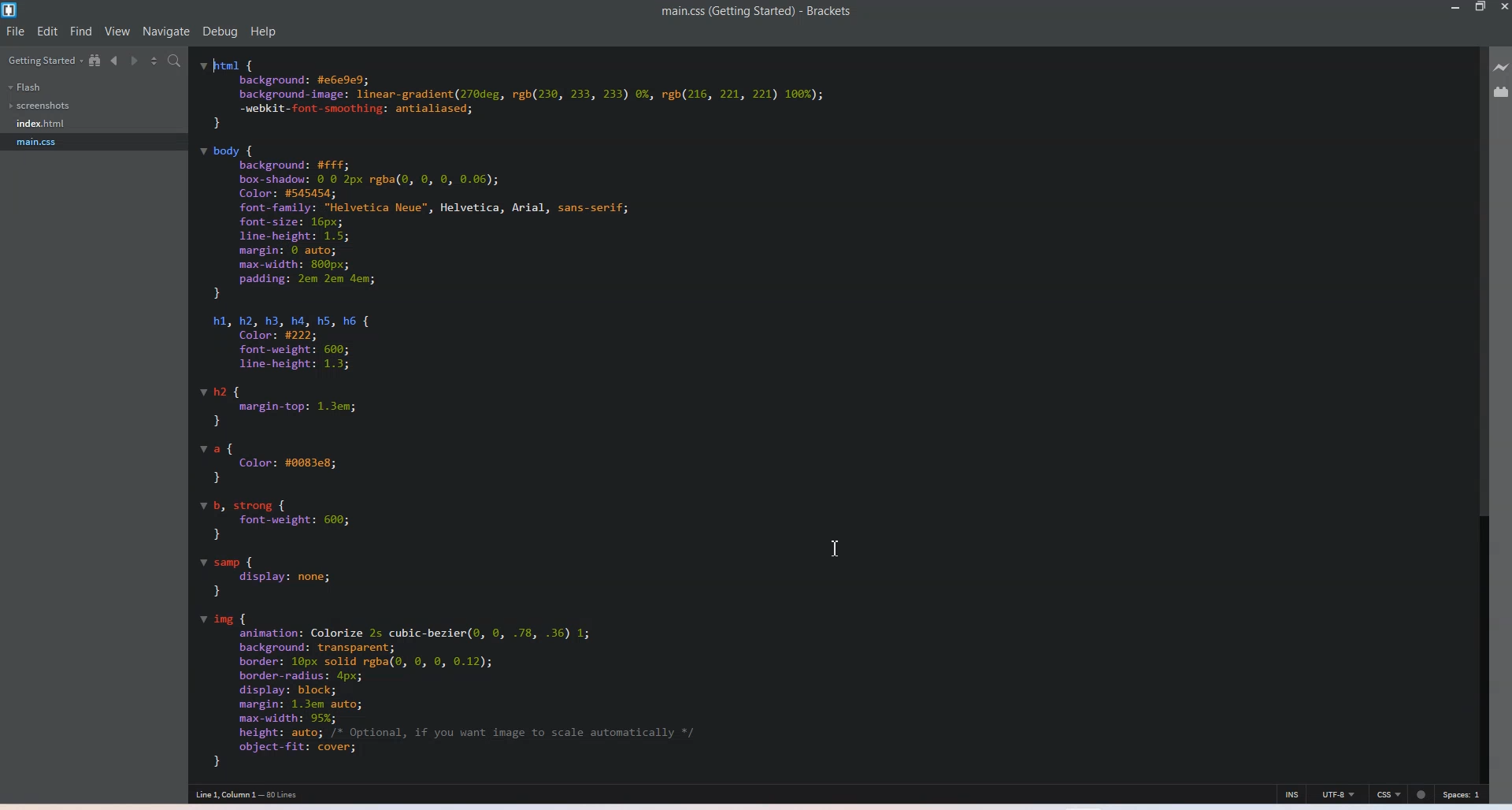  Describe the element at coordinates (589, 411) in the screenshot. I see `code` at that location.